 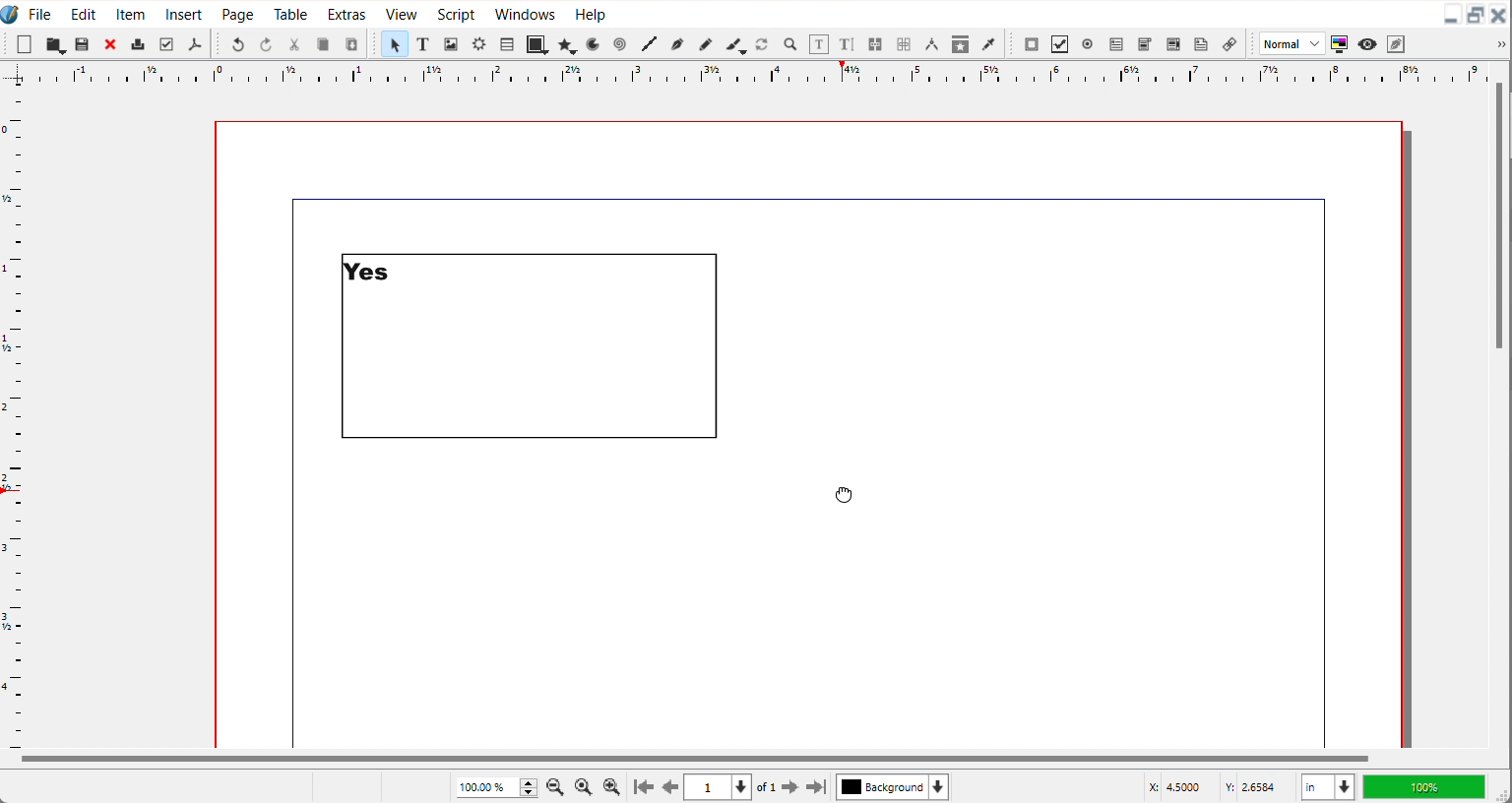 What do you see at coordinates (1292, 43) in the screenshot?
I see `Image preview quality` at bounding box center [1292, 43].